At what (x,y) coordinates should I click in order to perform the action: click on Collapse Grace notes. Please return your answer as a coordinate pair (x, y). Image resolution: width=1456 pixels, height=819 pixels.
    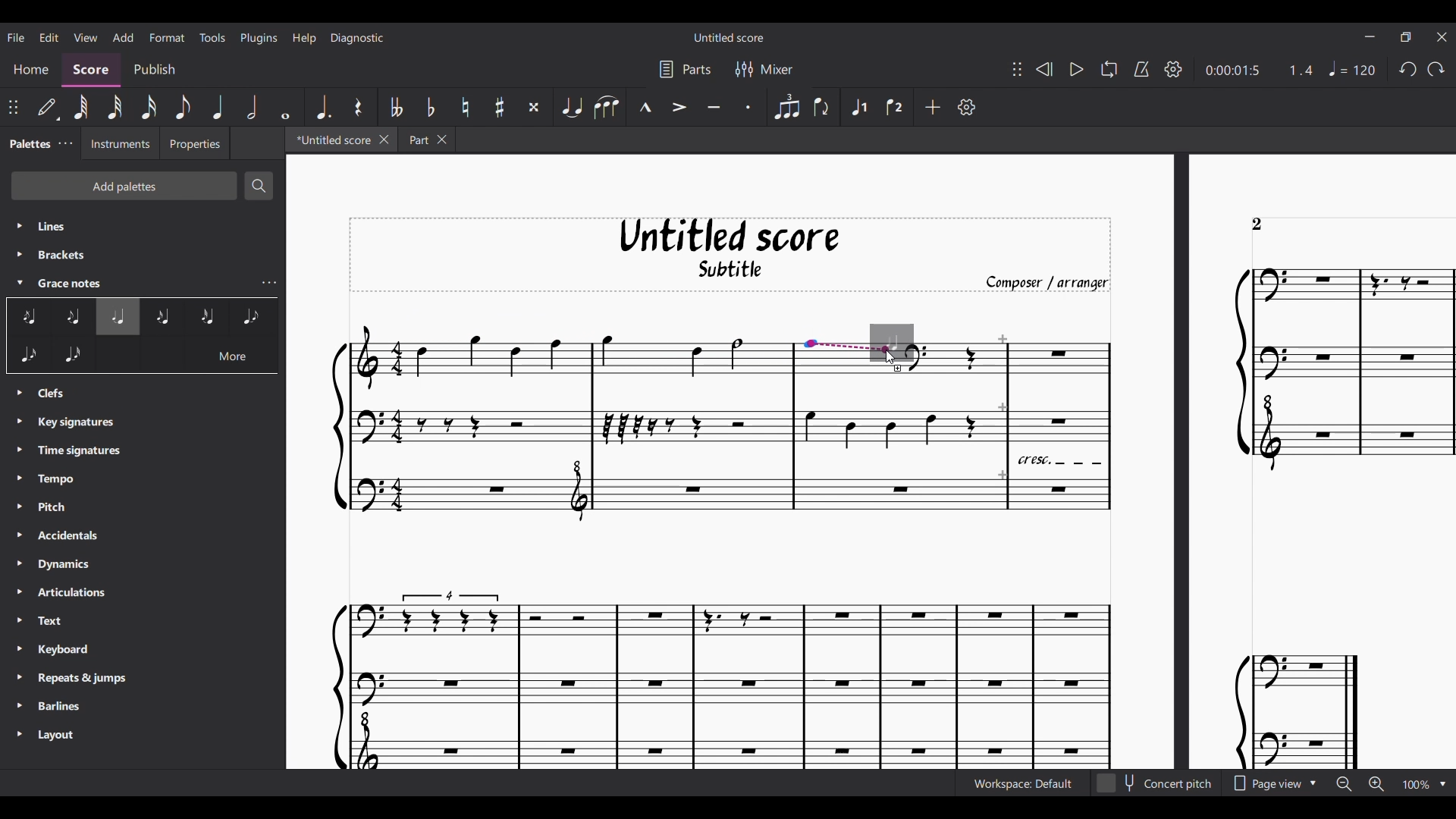
    Looking at the image, I should click on (20, 282).